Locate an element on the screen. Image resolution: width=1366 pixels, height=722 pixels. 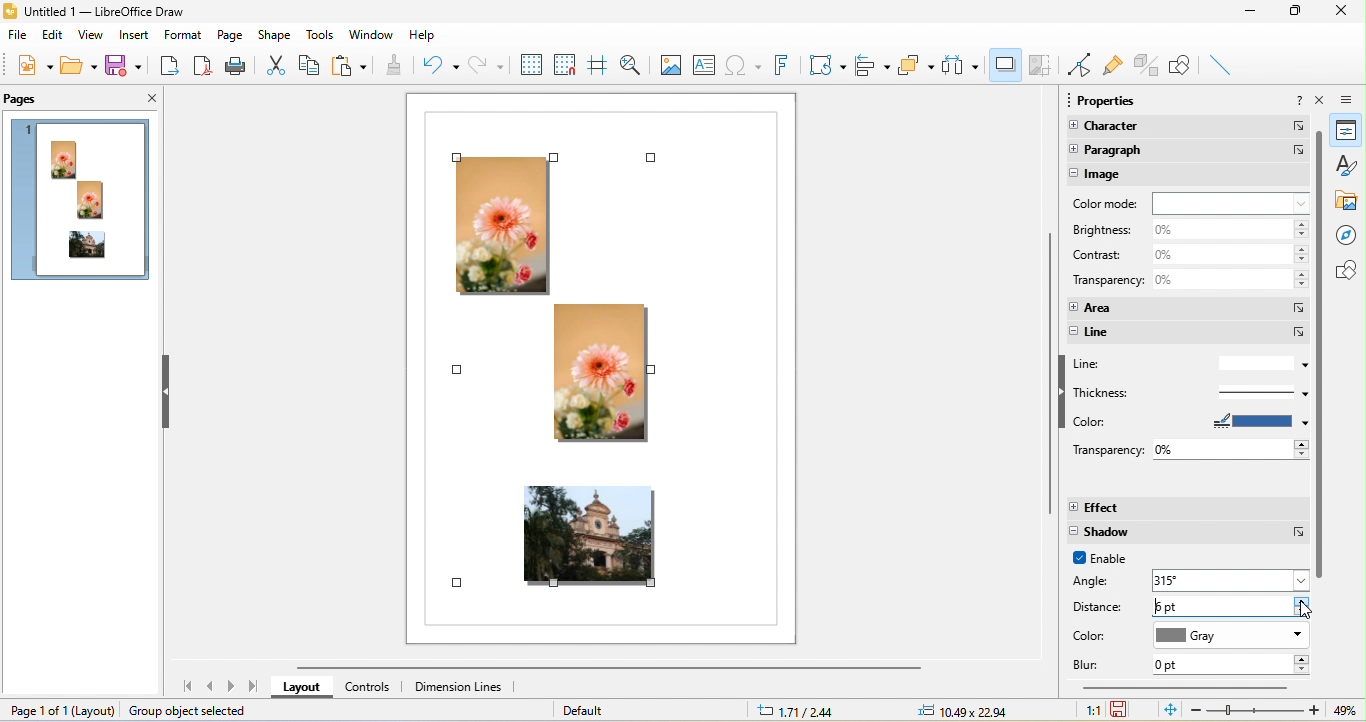
fit to current window is located at coordinates (1167, 710).